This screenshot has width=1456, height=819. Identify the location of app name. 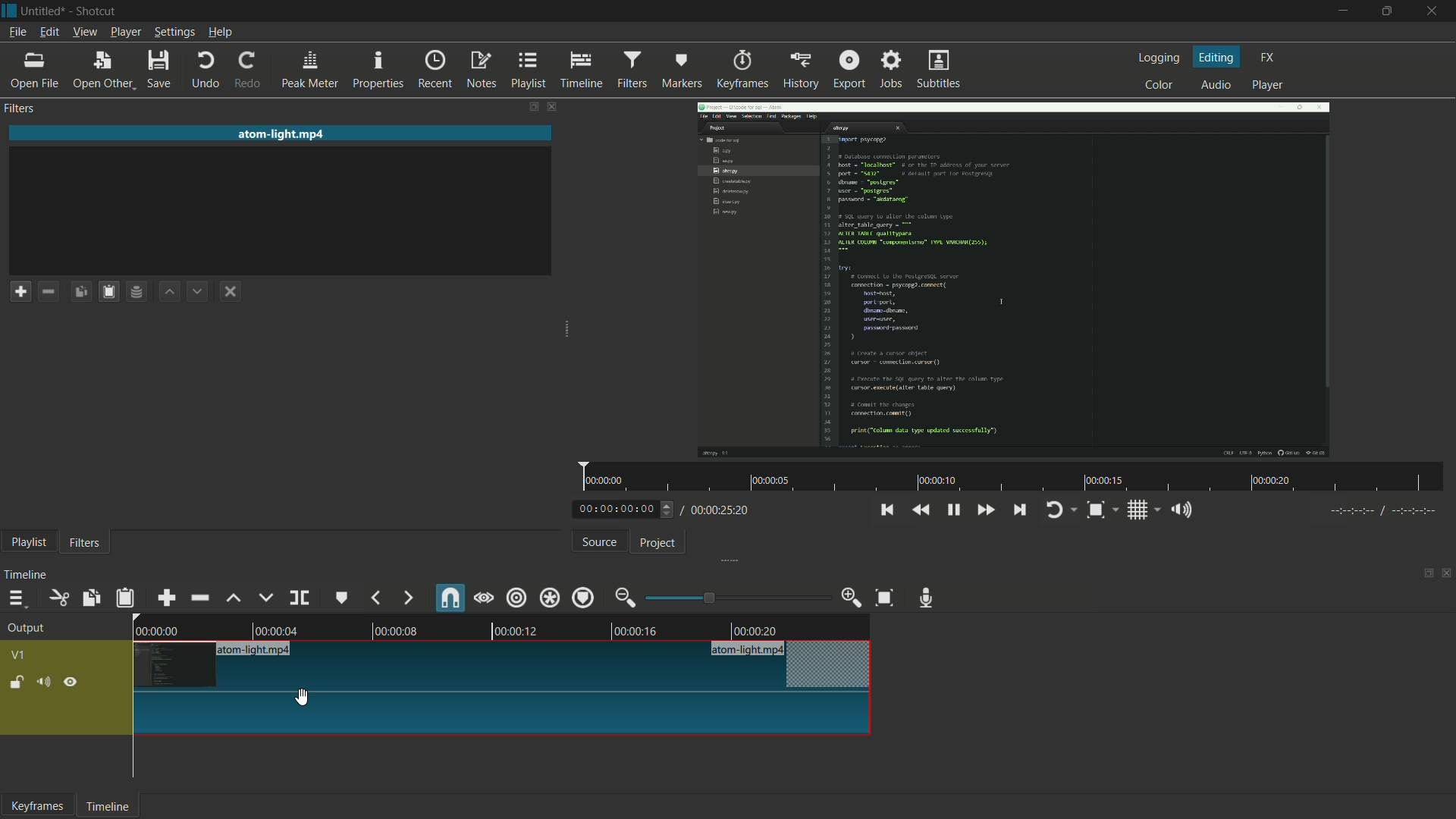
(99, 11).